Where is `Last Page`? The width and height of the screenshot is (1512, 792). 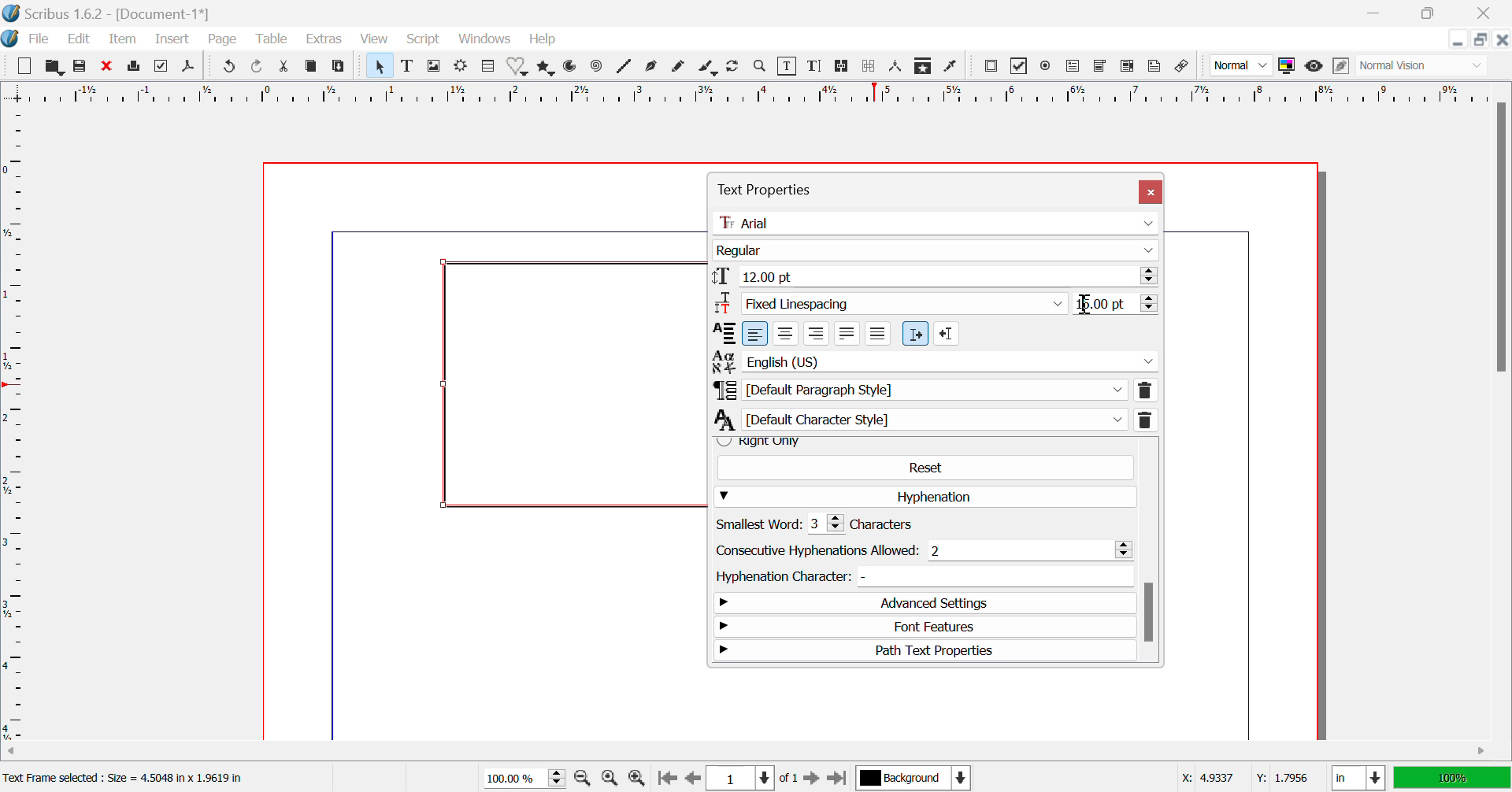 Last Page is located at coordinates (836, 777).